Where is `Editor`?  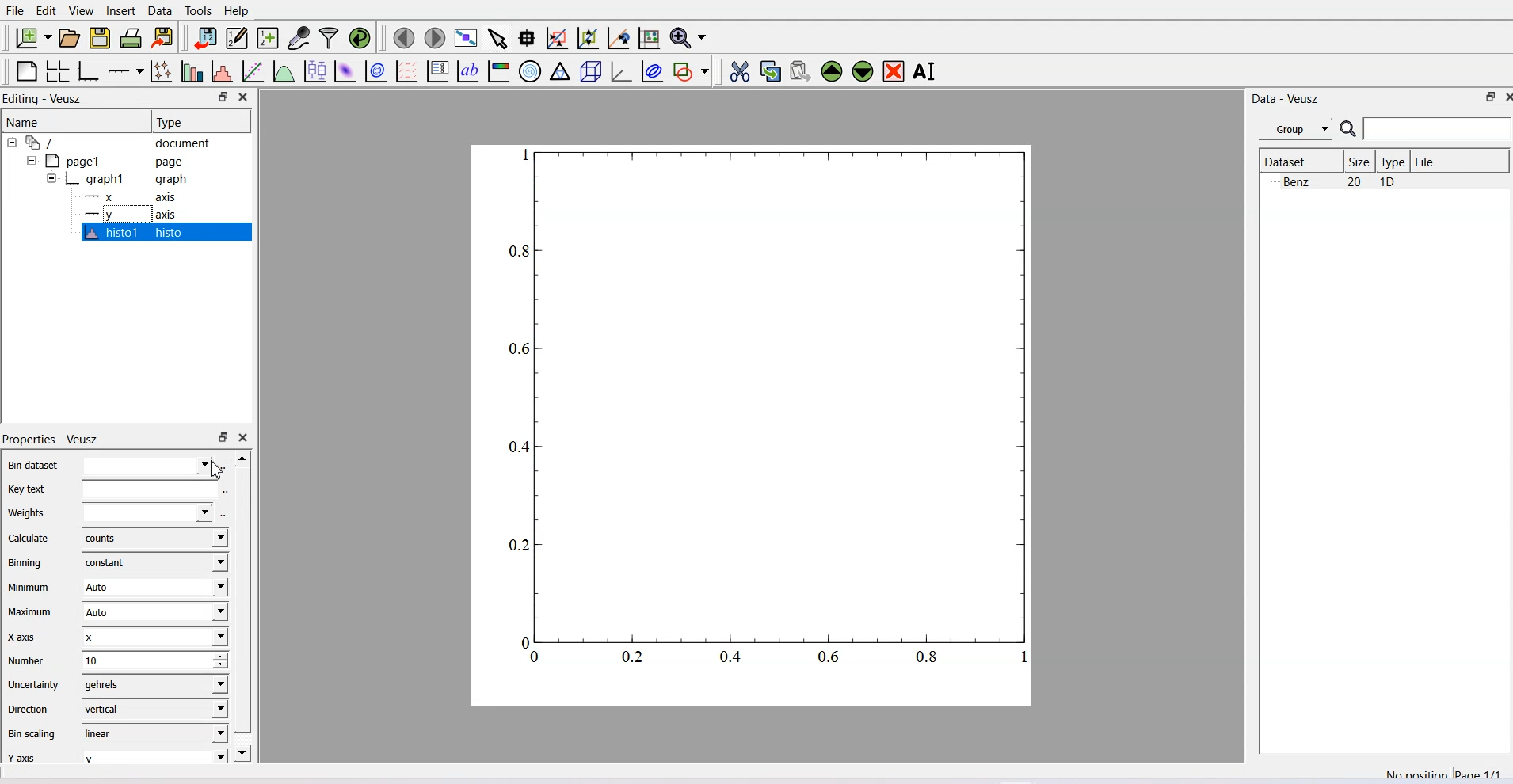 Editor is located at coordinates (238, 37).